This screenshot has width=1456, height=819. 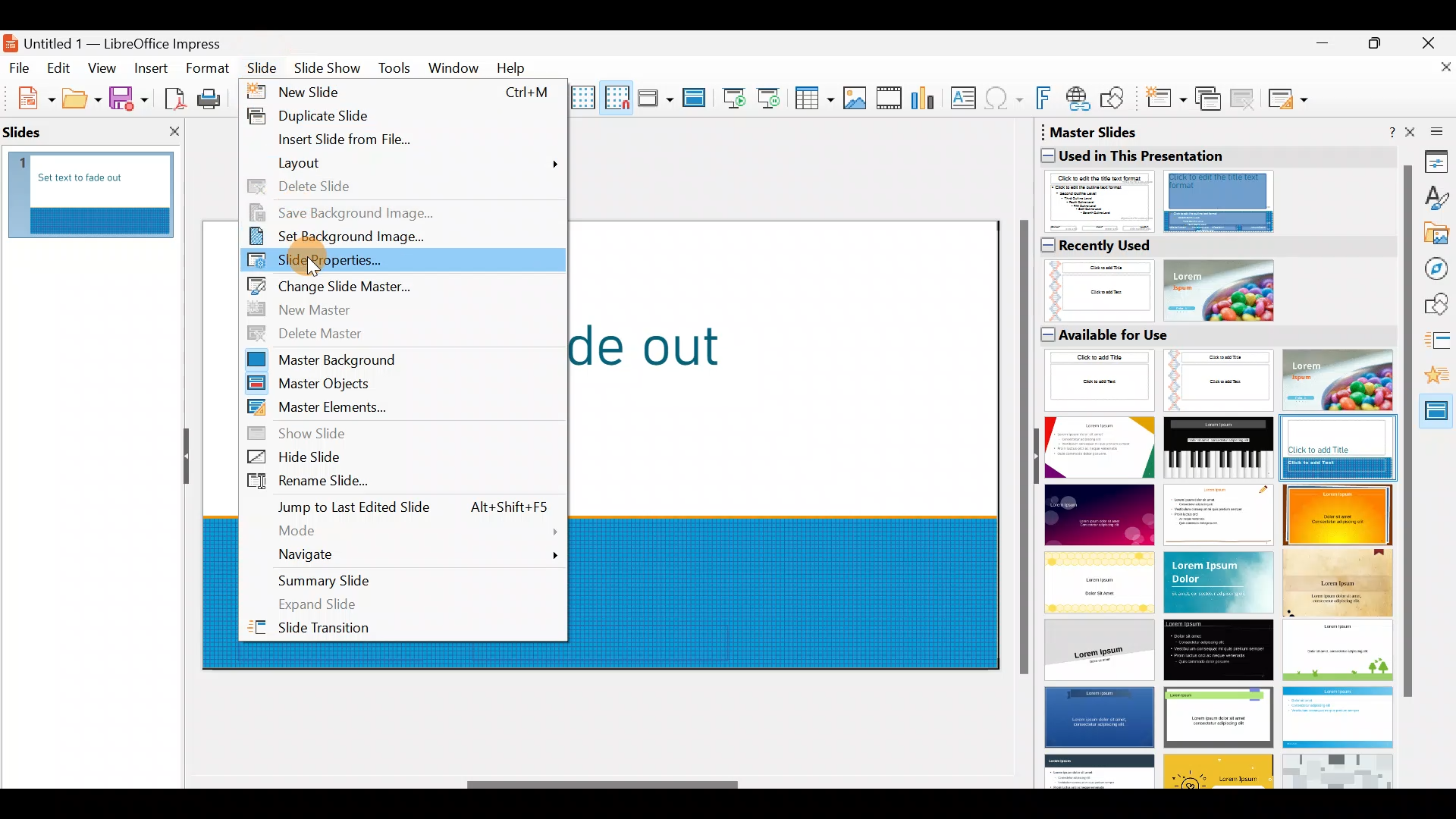 What do you see at coordinates (409, 214) in the screenshot?
I see `Save background image` at bounding box center [409, 214].